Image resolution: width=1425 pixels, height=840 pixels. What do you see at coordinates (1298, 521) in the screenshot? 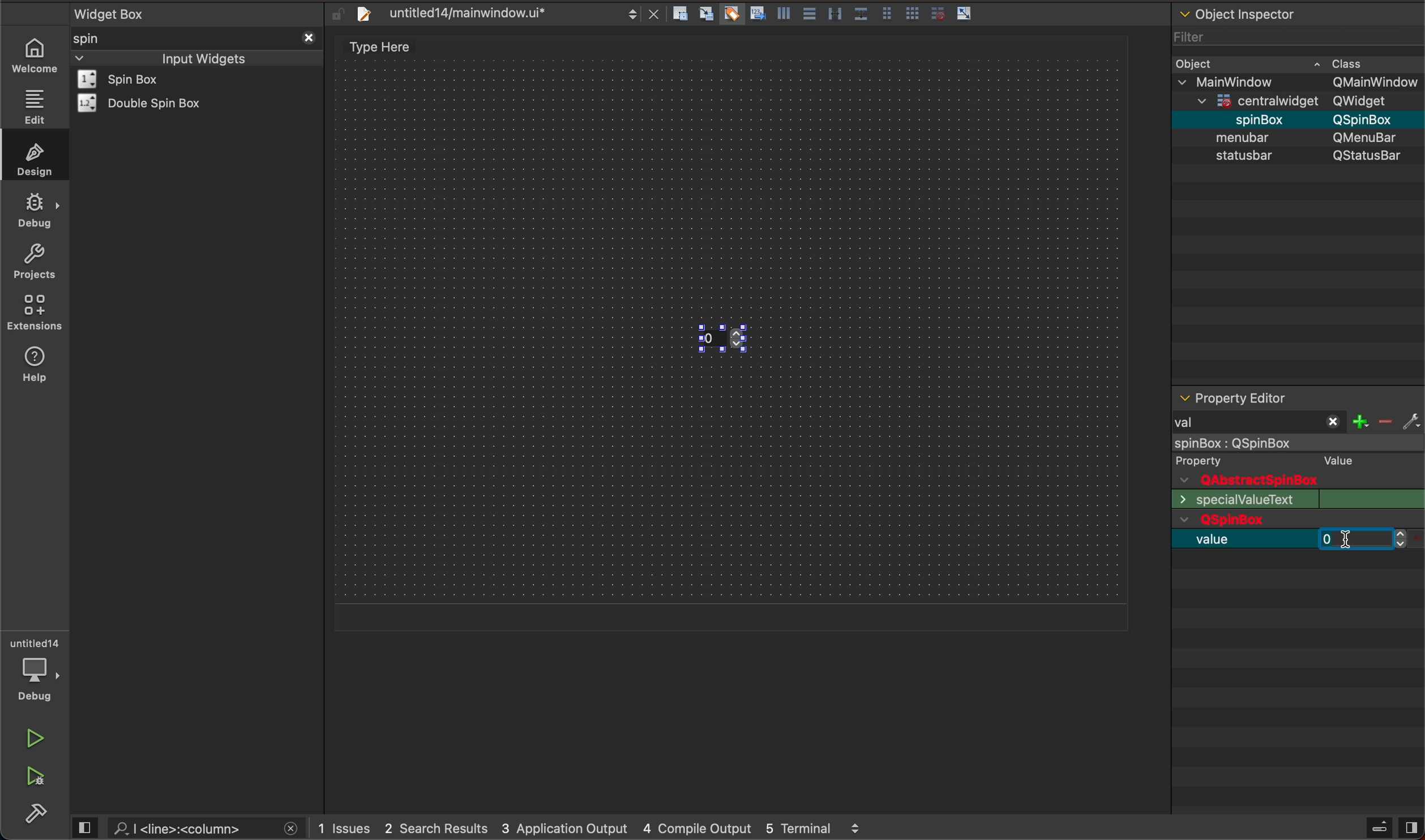
I see `qwidget` at bounding box center [1298, 521].